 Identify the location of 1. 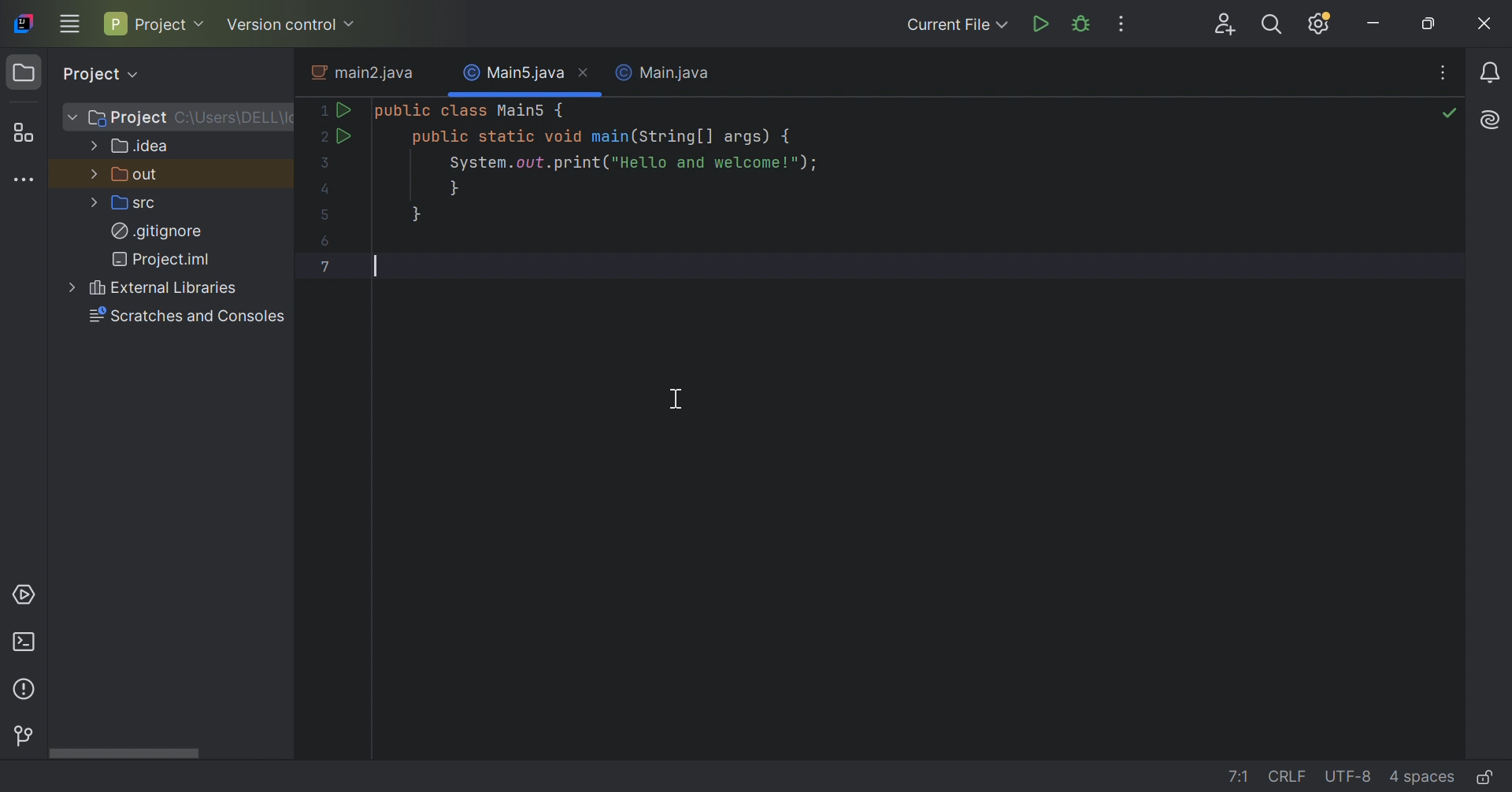
(320, 109).